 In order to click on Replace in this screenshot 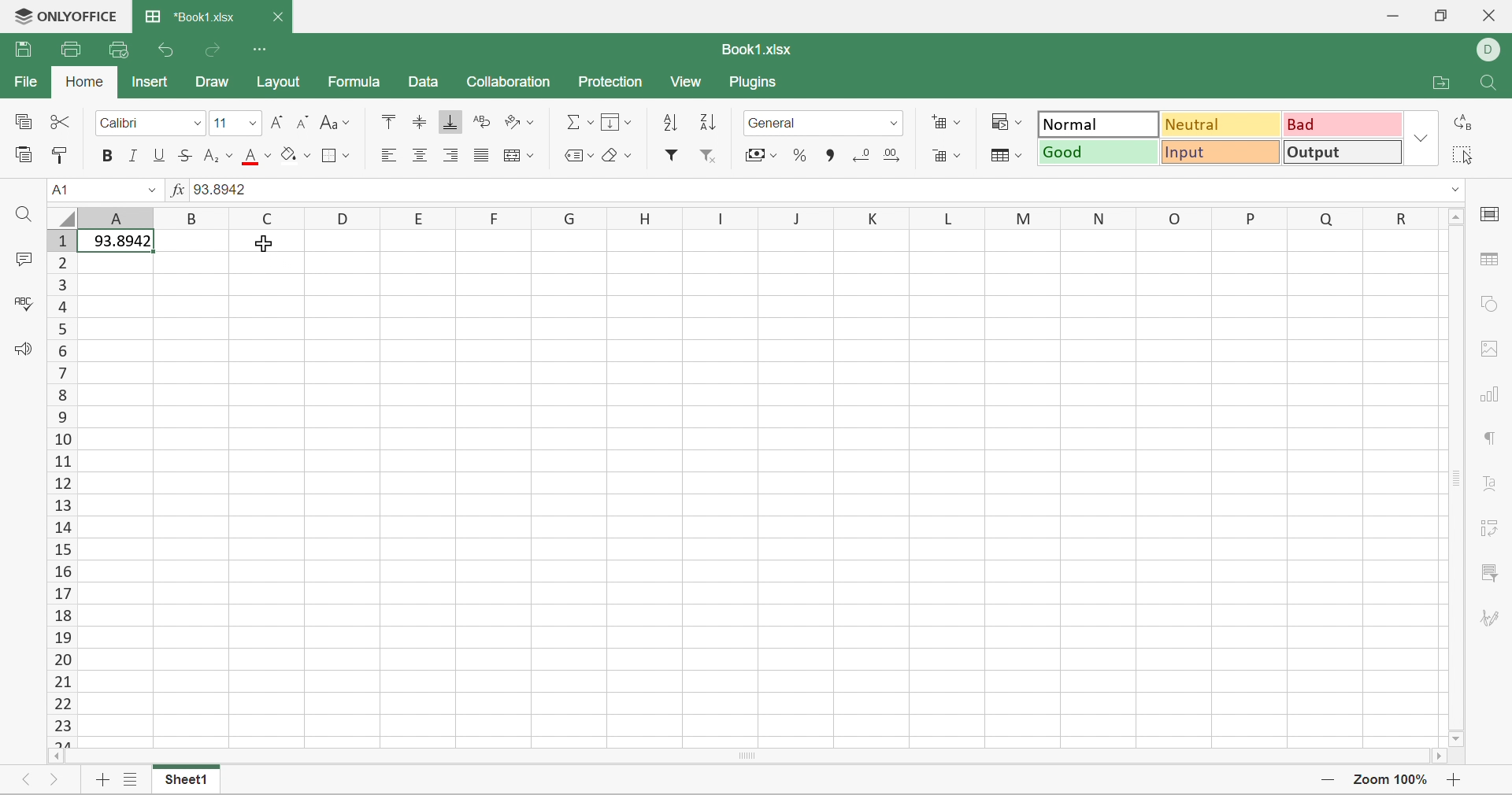, I will do `click(1462, 124)`.